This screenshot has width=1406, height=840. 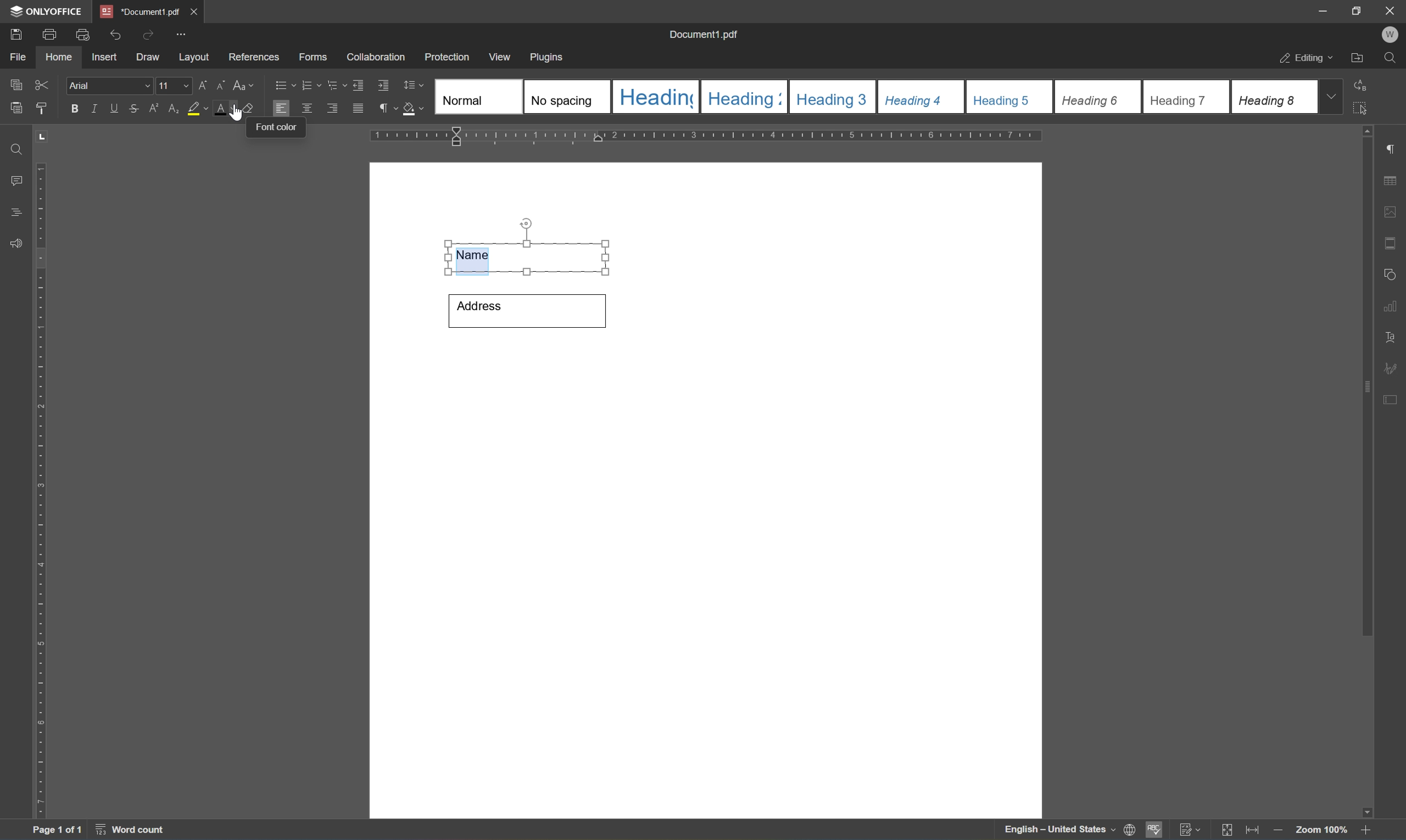 I want to click on redo, so click(x=145, y=34).